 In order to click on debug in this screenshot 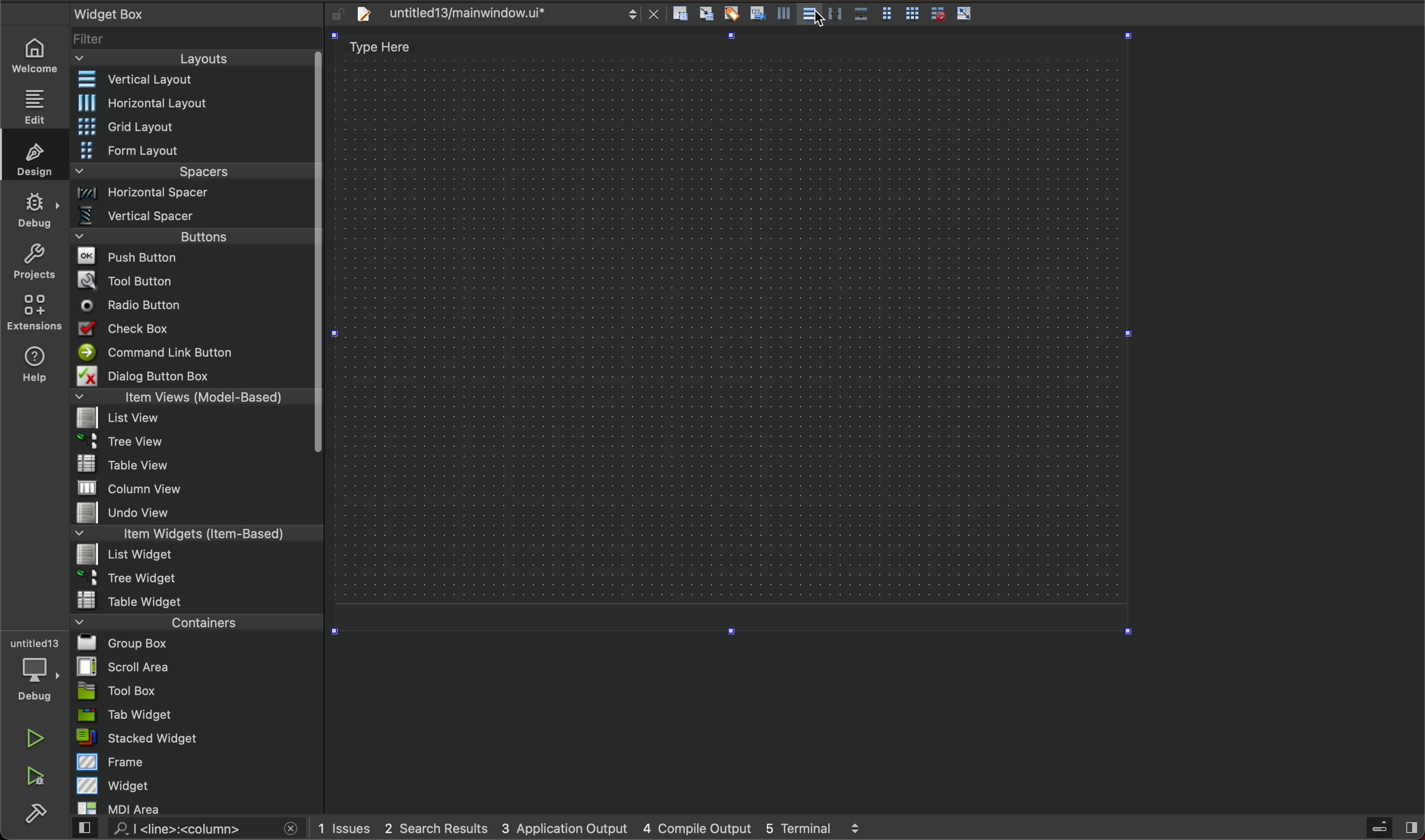, I will do `click(32, 671)`.